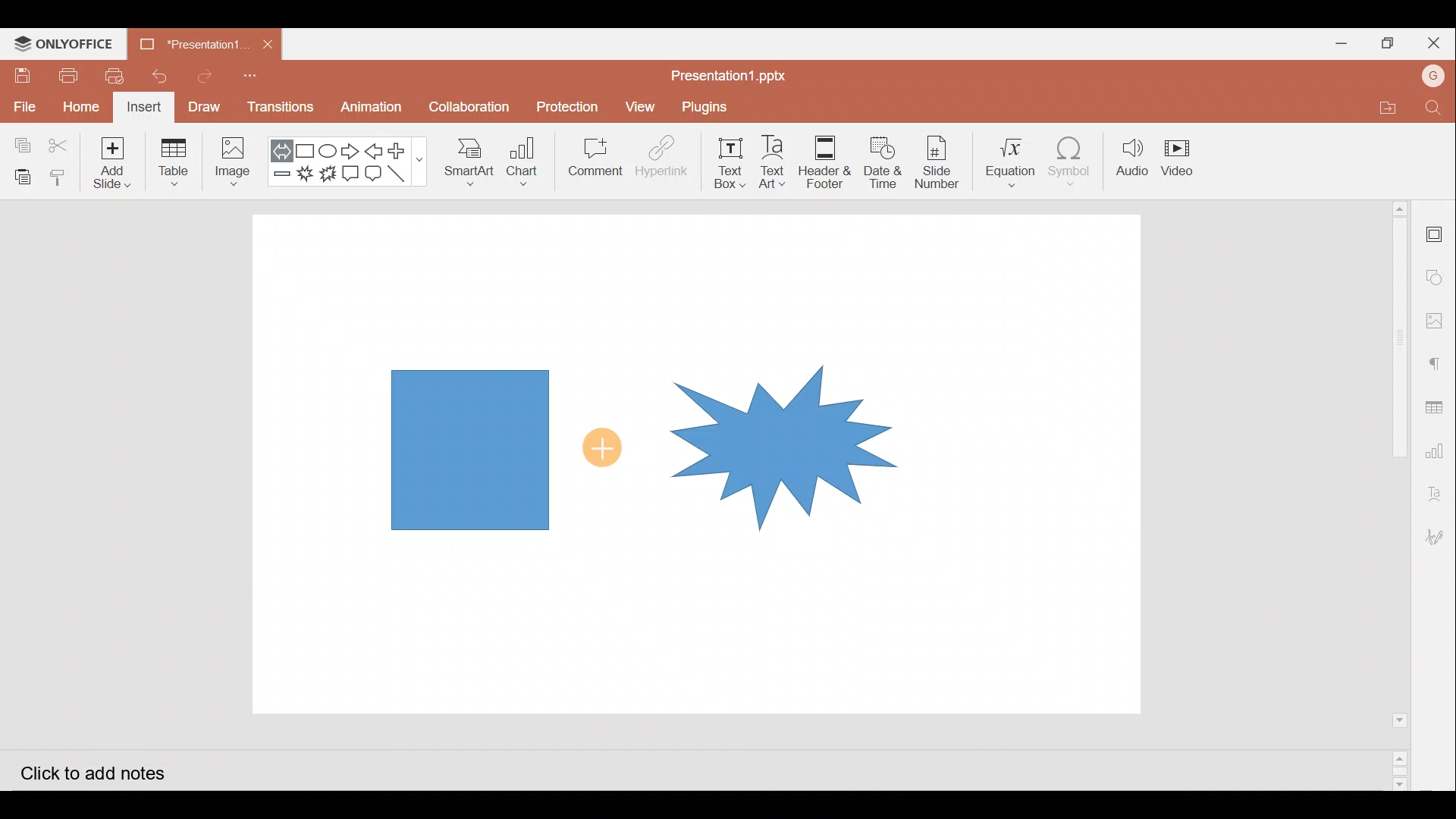  Describe the element at coordinates (21, 75) in the screenshot. I see `Save` at that location.